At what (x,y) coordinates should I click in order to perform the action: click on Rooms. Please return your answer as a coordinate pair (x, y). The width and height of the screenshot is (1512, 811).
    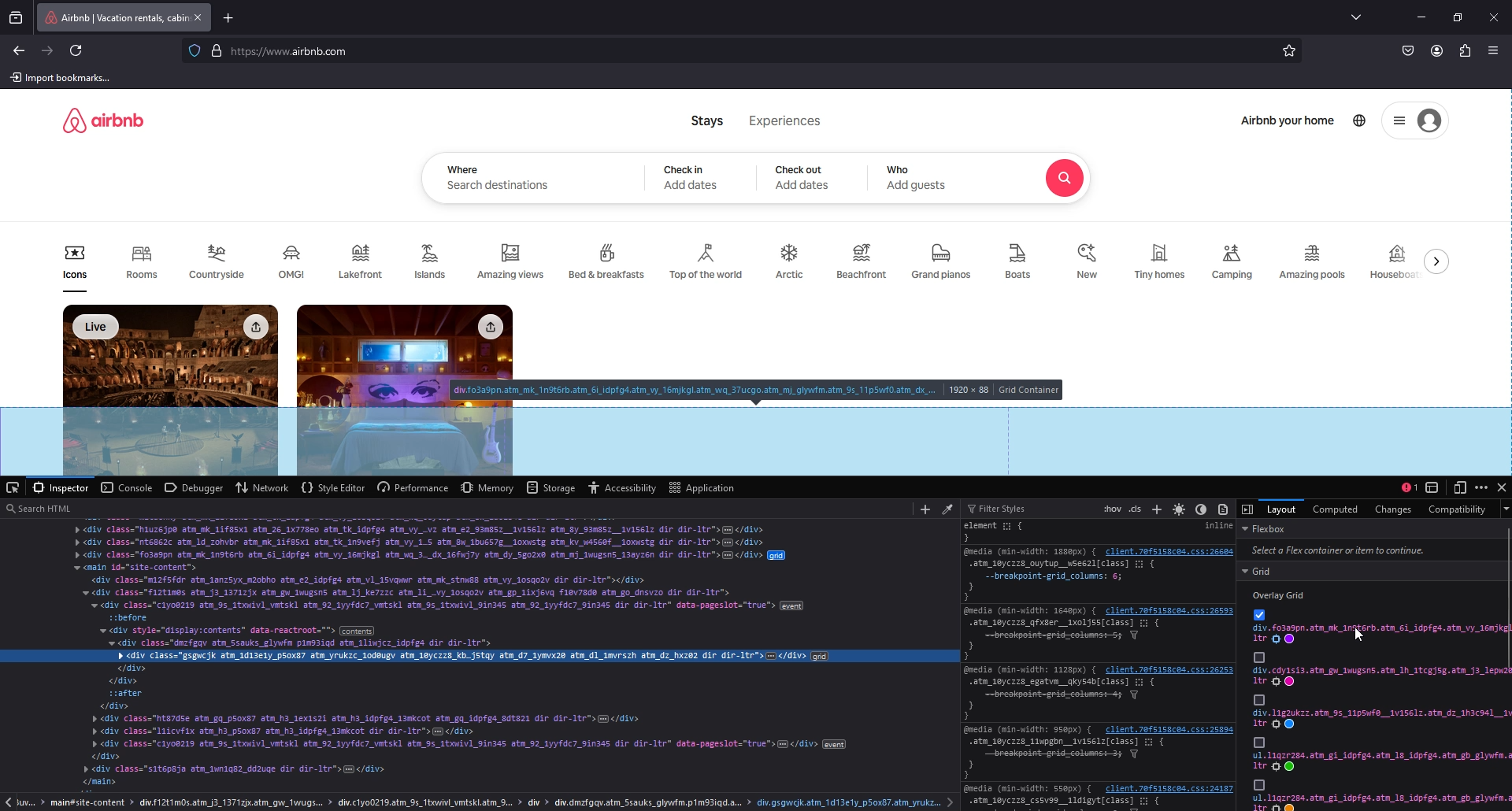
    Looking at the image, I should click on (141, 267).